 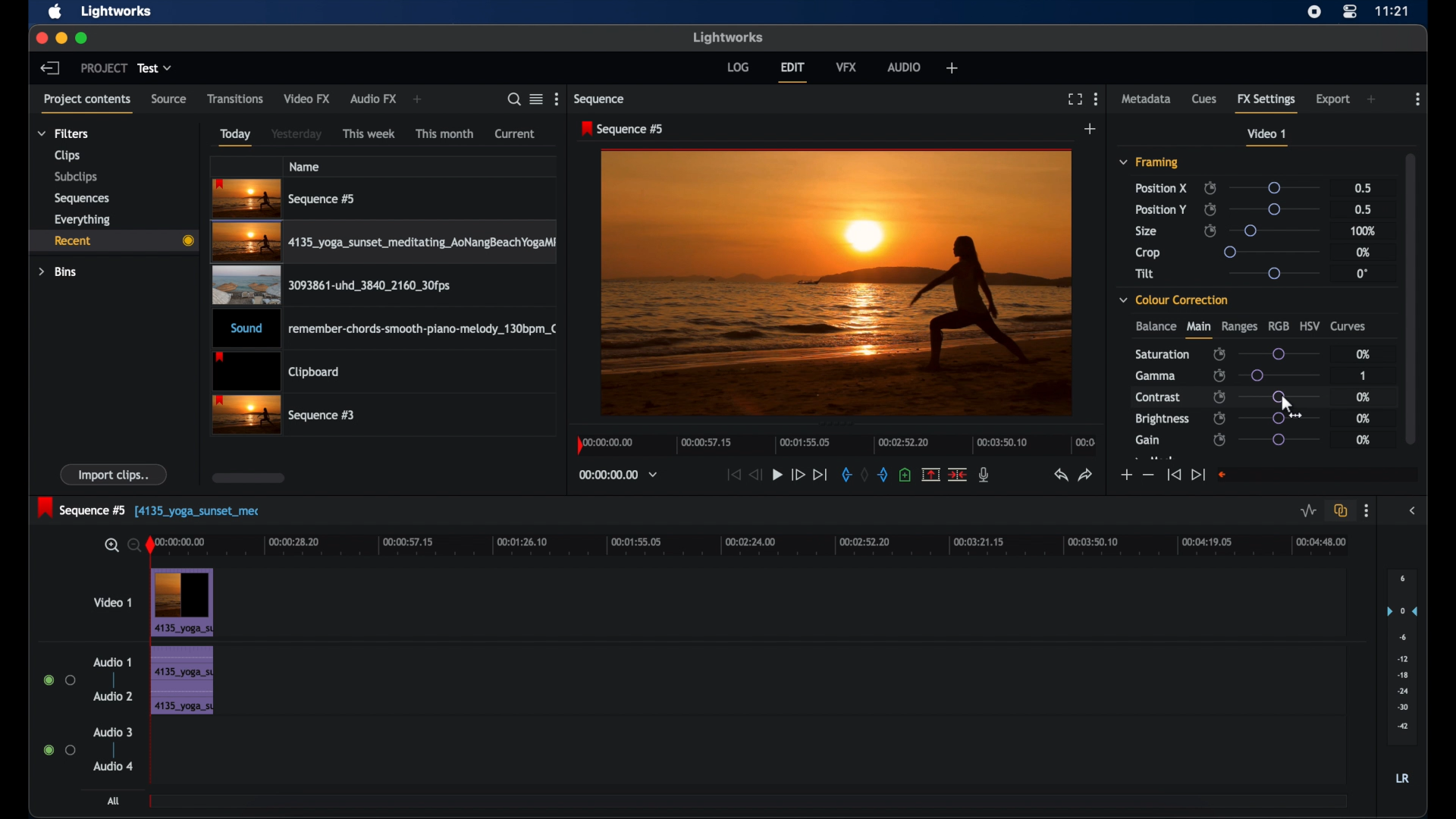 What do you see at coordinates (1276, 209) in the screenshot?
I see `slider` at bounding box center [1276, 209].